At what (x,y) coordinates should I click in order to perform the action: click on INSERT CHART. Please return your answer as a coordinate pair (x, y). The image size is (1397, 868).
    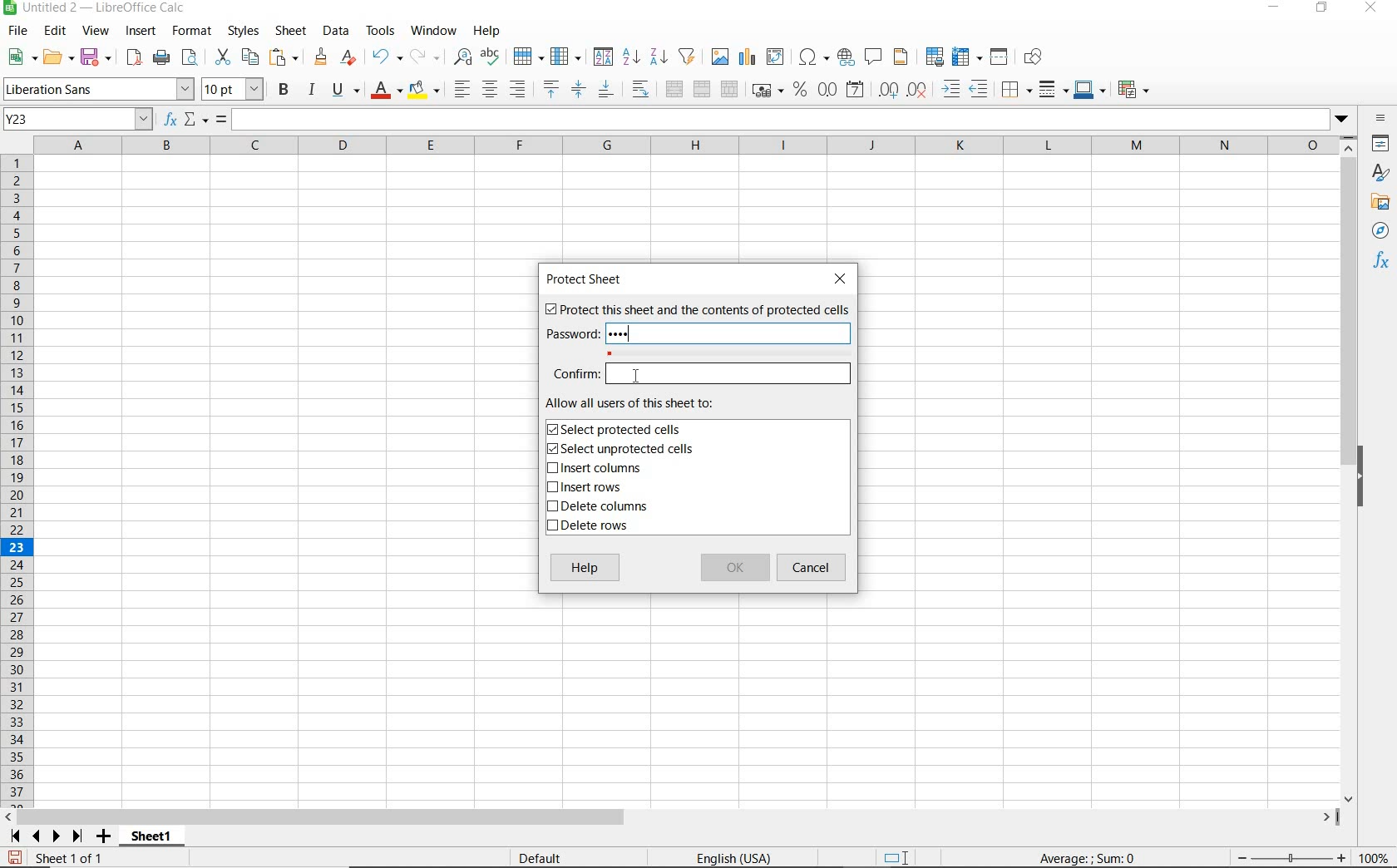
    Looking at the image, I should click on (748, 57).